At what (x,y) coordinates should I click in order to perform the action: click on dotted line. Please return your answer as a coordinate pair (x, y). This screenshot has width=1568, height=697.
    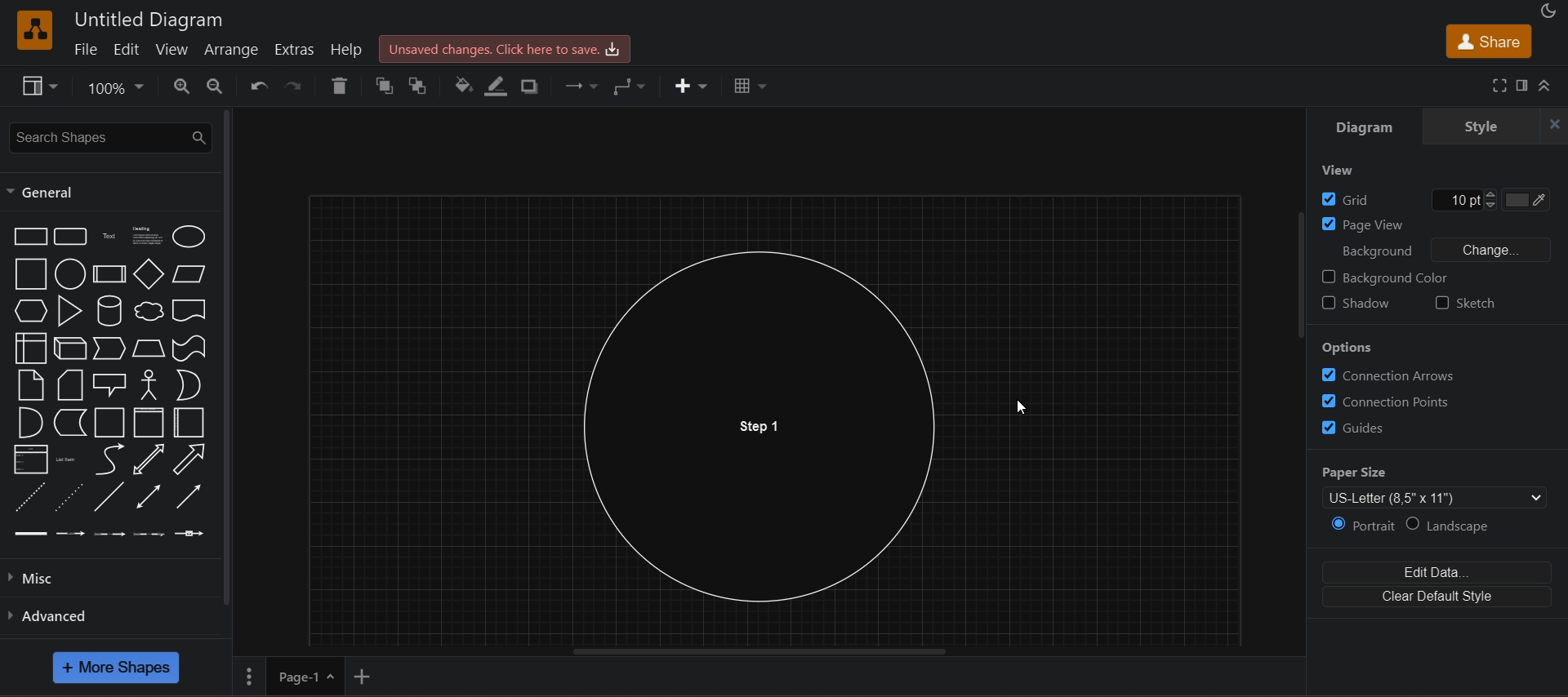
    Looking at the image, I should click on (72, 499).